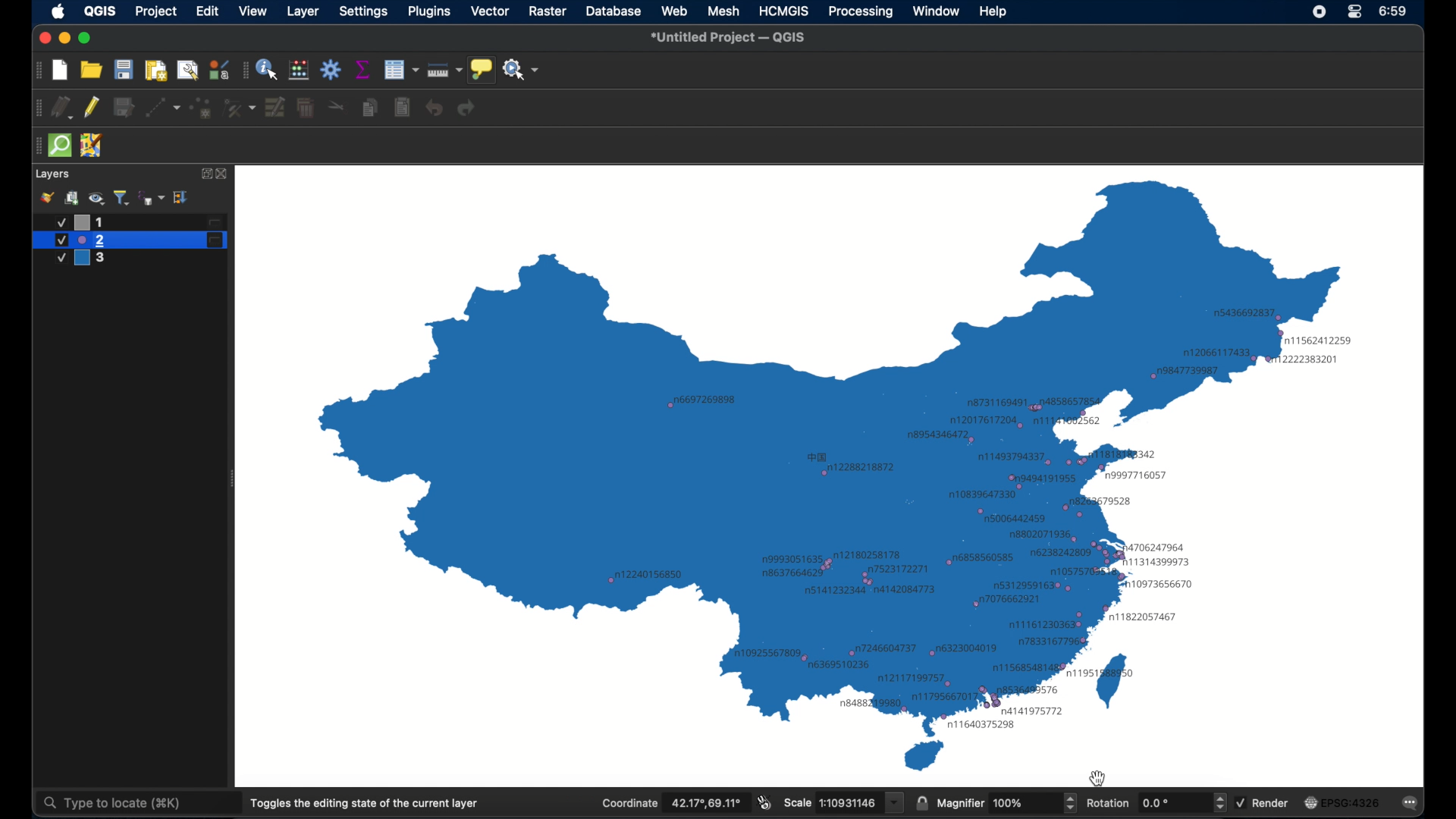  What do you see at coordinates (124, 69) in the screenshot?
I see `save` at bounding box center [124, 69].